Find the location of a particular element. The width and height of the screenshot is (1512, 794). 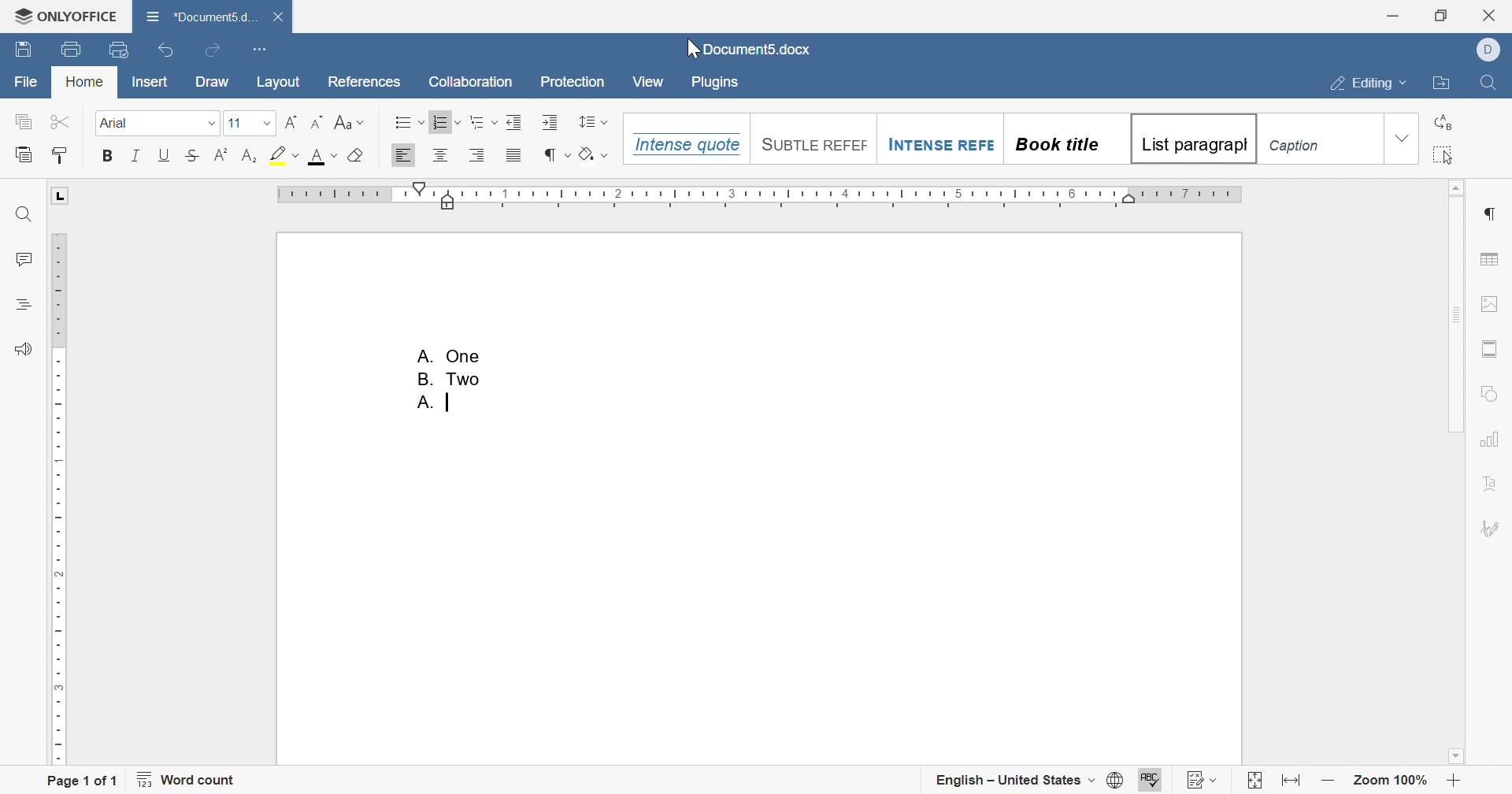

Find is located at coordinates (22, 214).